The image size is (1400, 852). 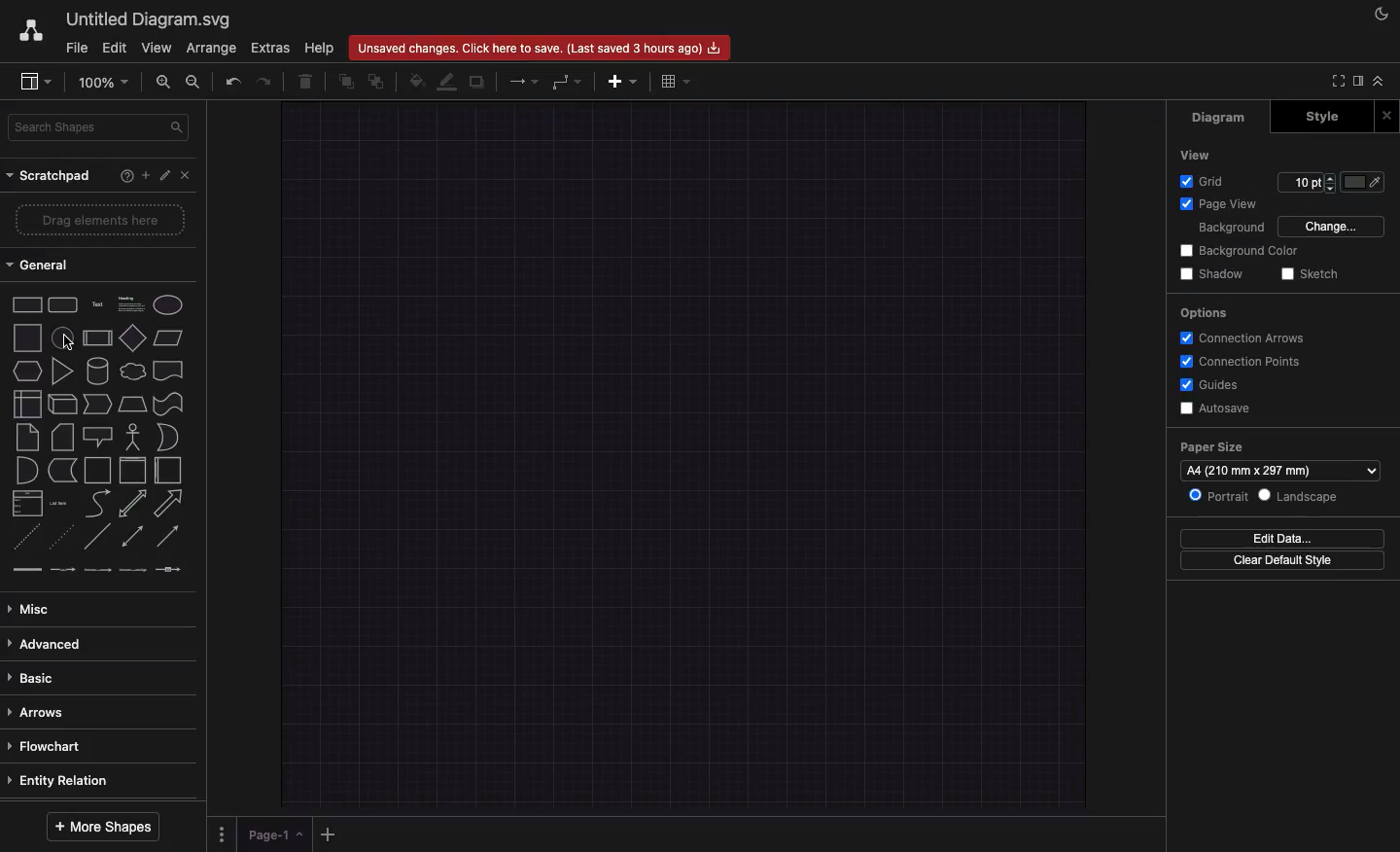 I want to click on Landscape , so click(x=1300, y=495).